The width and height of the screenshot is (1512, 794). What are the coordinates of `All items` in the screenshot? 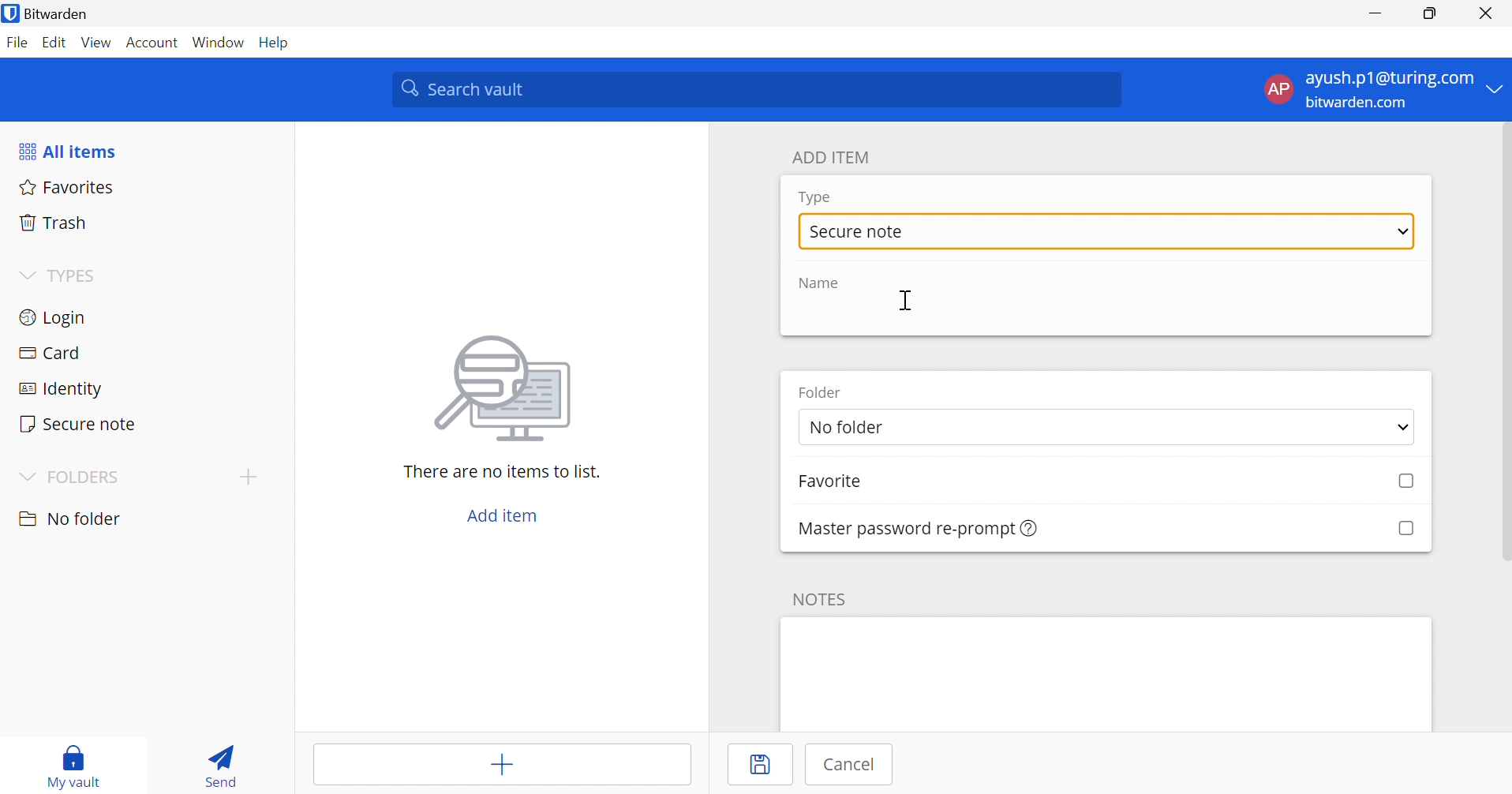 It's located at (71, 153).